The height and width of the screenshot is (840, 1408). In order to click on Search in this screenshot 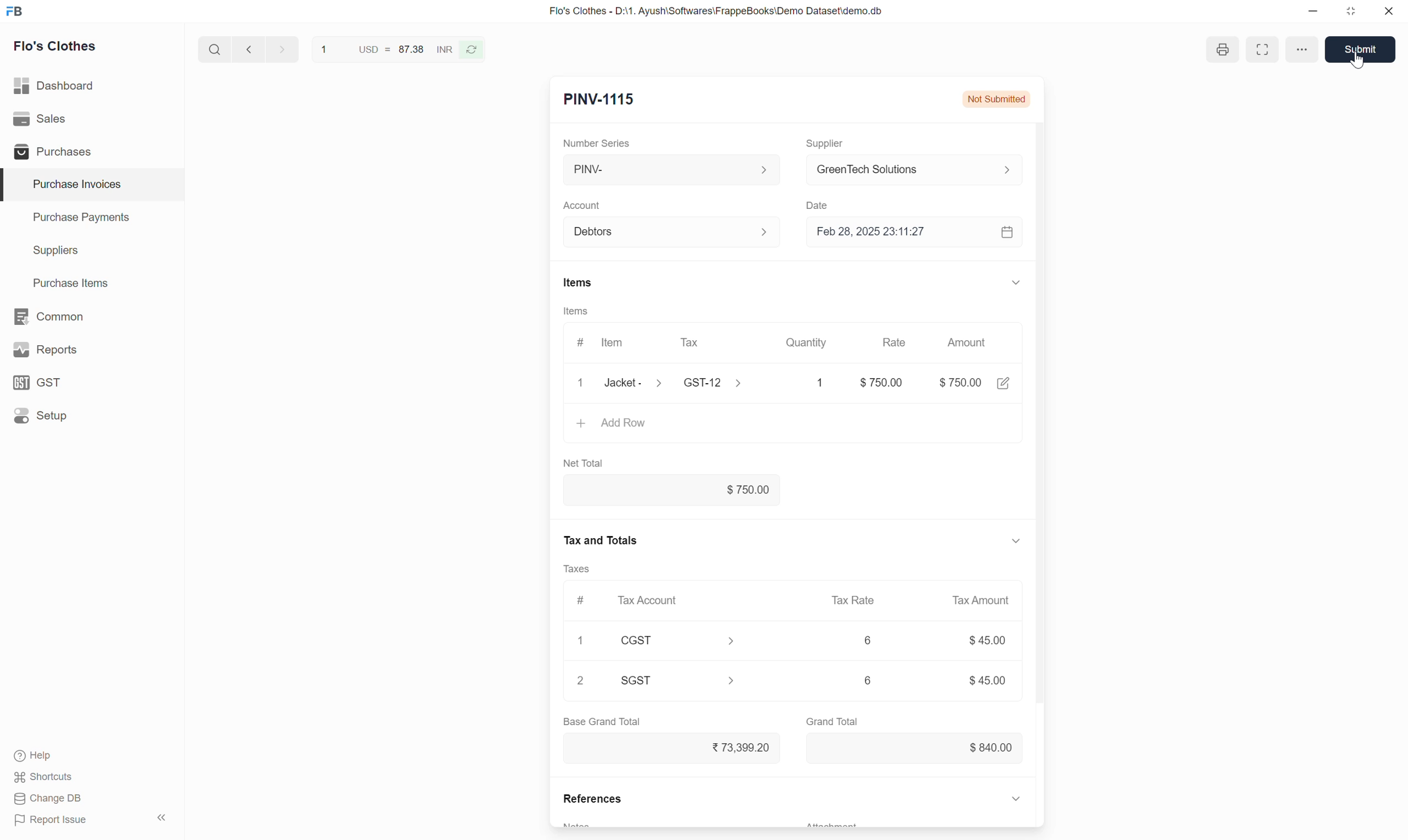, I will do `click(215, 49)`.